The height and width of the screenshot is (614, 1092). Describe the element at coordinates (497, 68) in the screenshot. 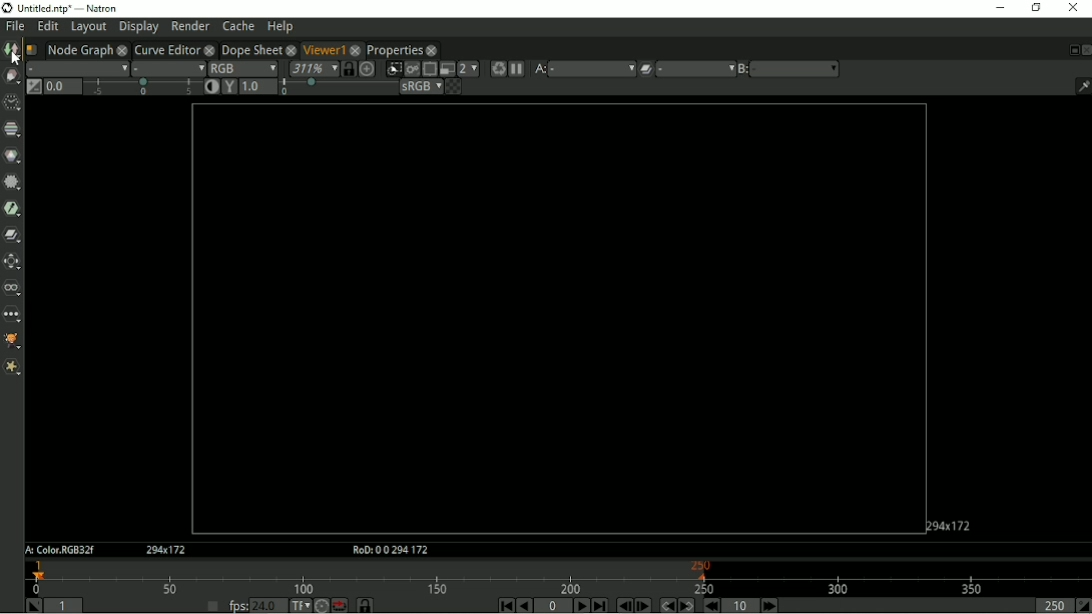

I see `Forces a new render of the current frame` at that location.